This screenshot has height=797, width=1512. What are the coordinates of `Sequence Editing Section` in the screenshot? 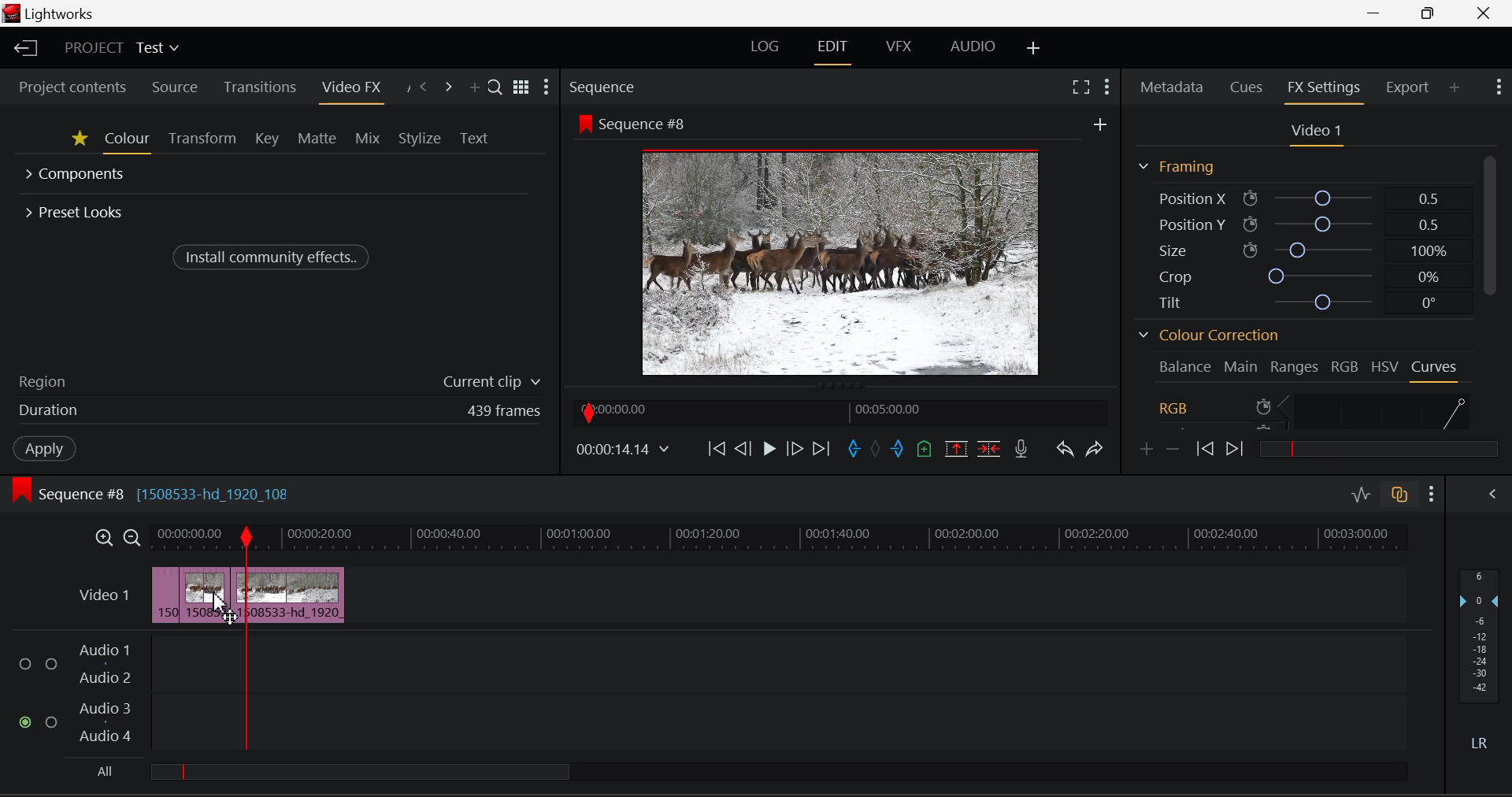 It's located at (154, 494).